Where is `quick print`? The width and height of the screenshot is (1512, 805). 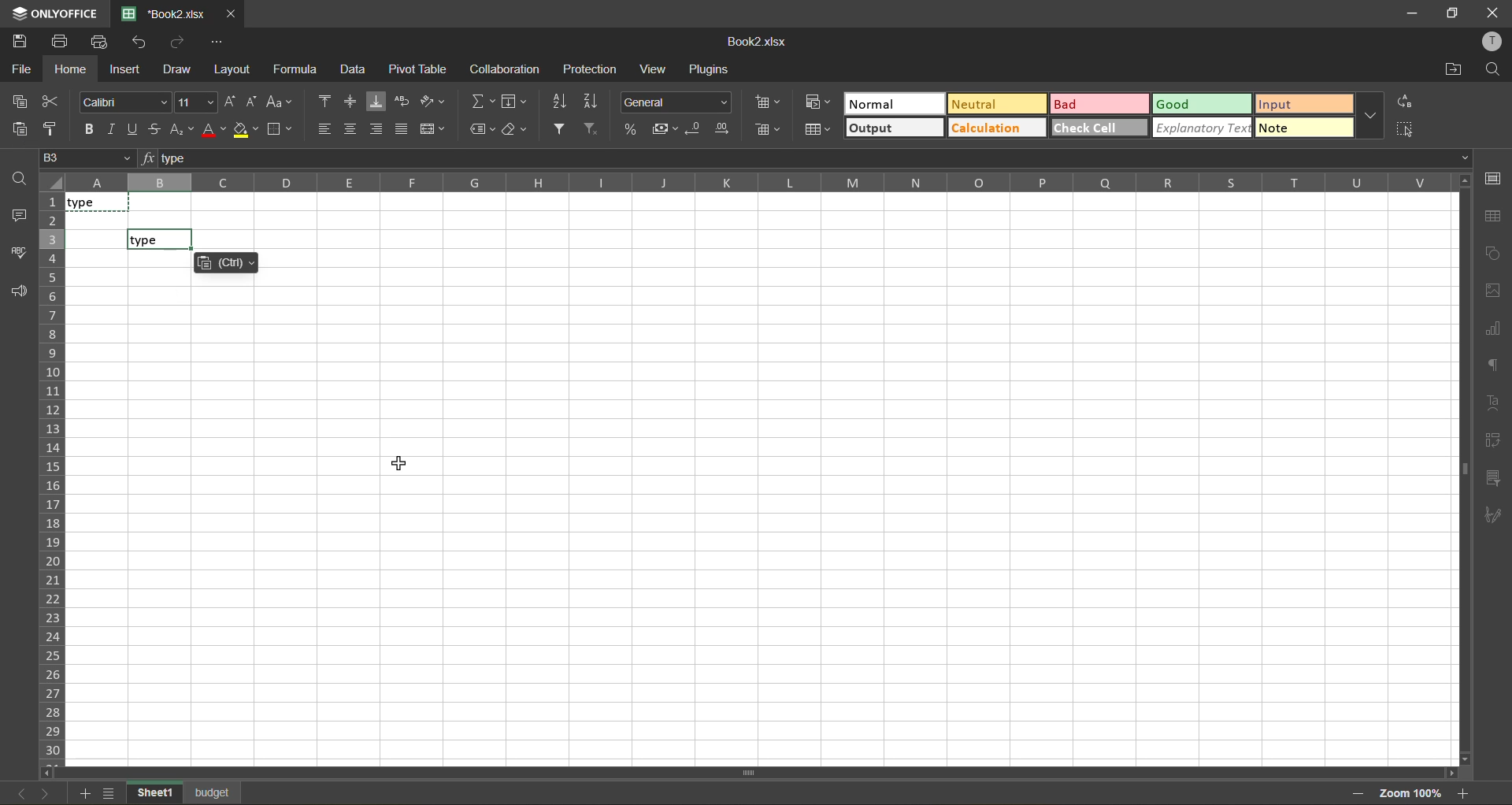
quick print is located at coordinates (102, 43).